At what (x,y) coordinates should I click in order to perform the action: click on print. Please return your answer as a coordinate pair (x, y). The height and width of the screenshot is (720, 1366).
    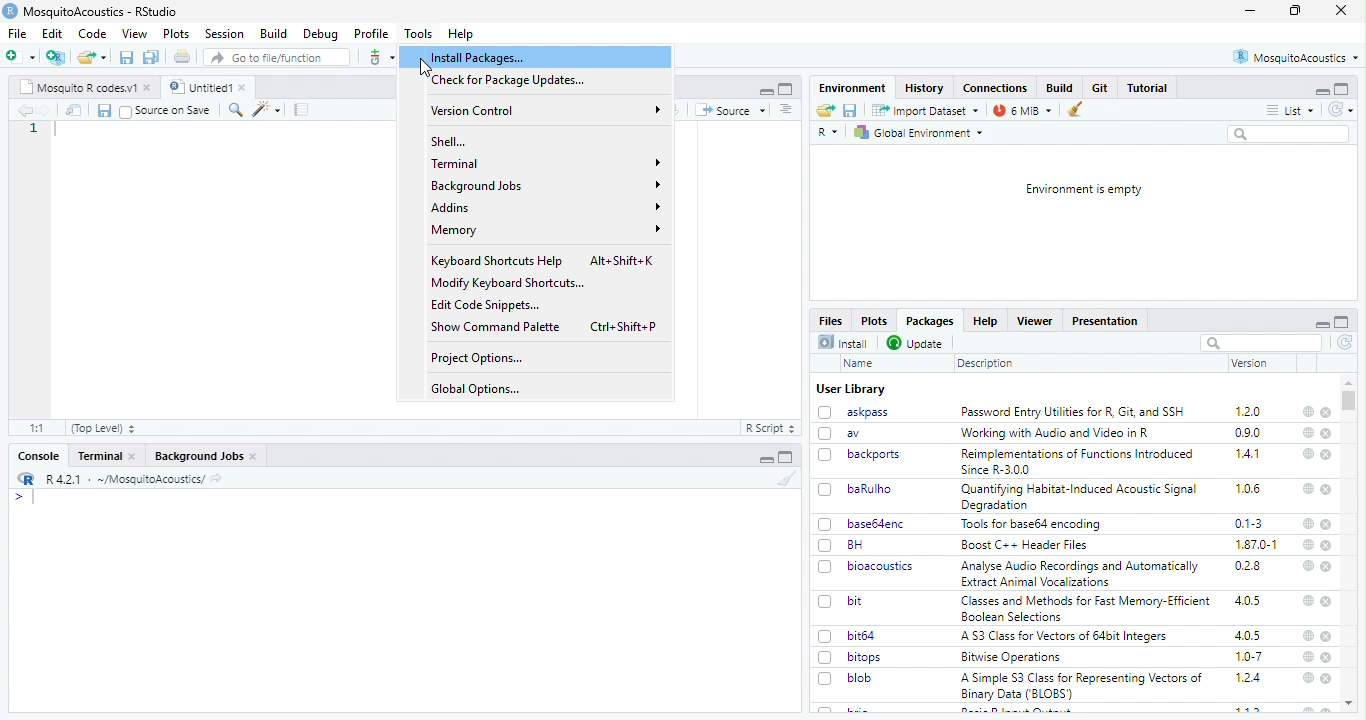
    Looking at the image, I should click on (183, 56).